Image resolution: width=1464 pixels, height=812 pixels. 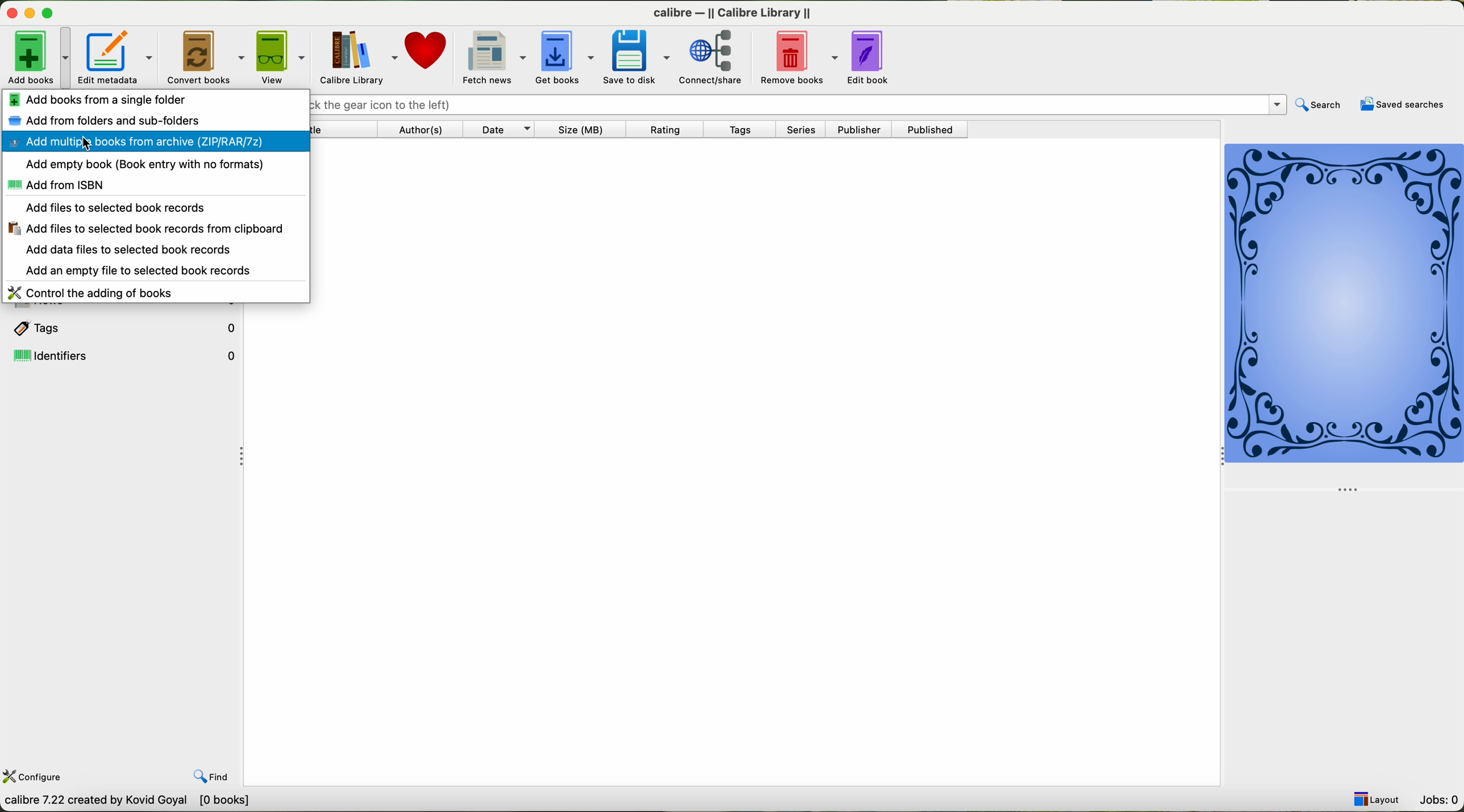 I want to click on add files to, so click(x=113, y=207).